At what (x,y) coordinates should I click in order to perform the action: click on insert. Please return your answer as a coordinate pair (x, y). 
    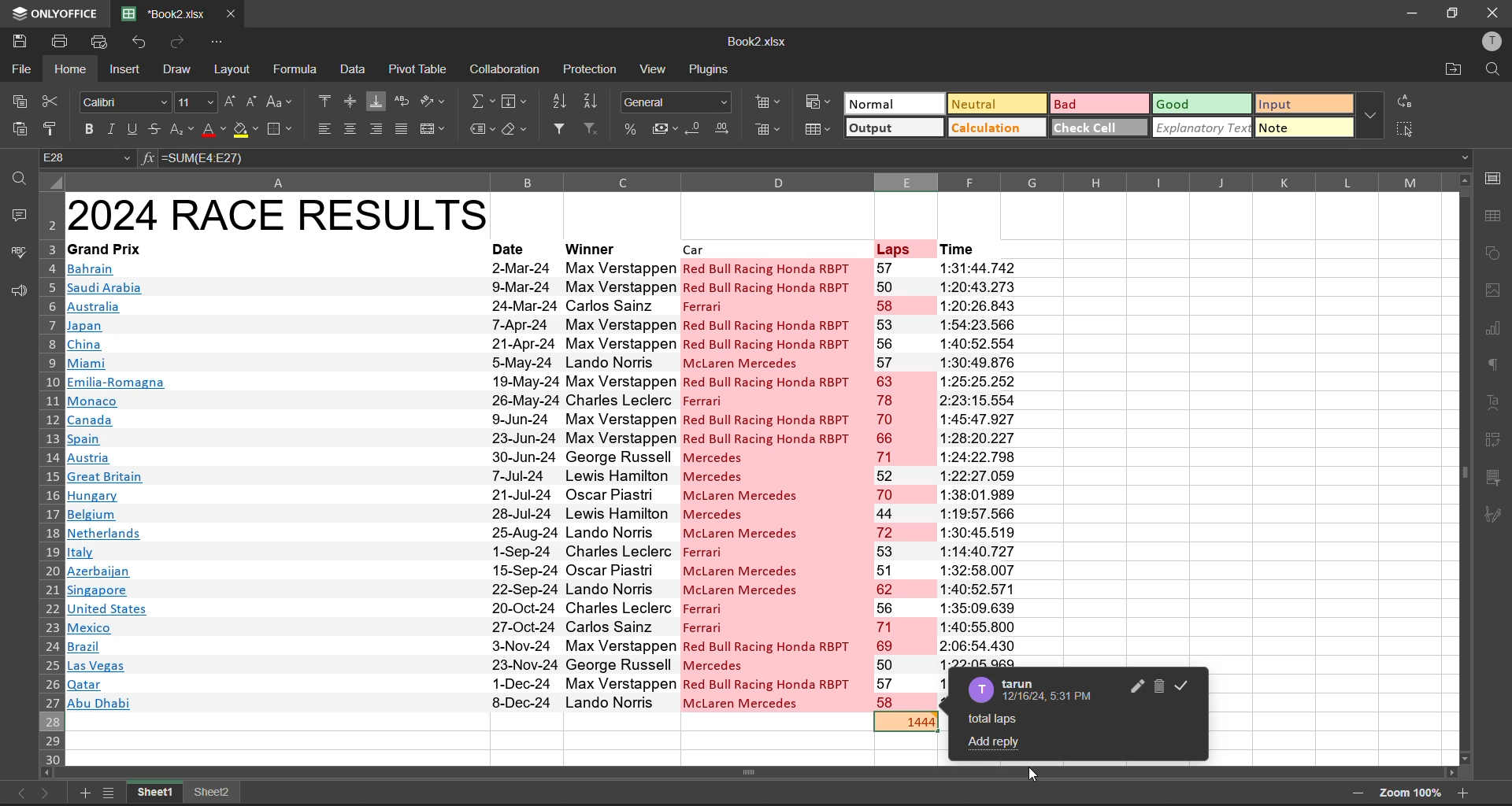
    Looking at the image, I should click on (128, 71).